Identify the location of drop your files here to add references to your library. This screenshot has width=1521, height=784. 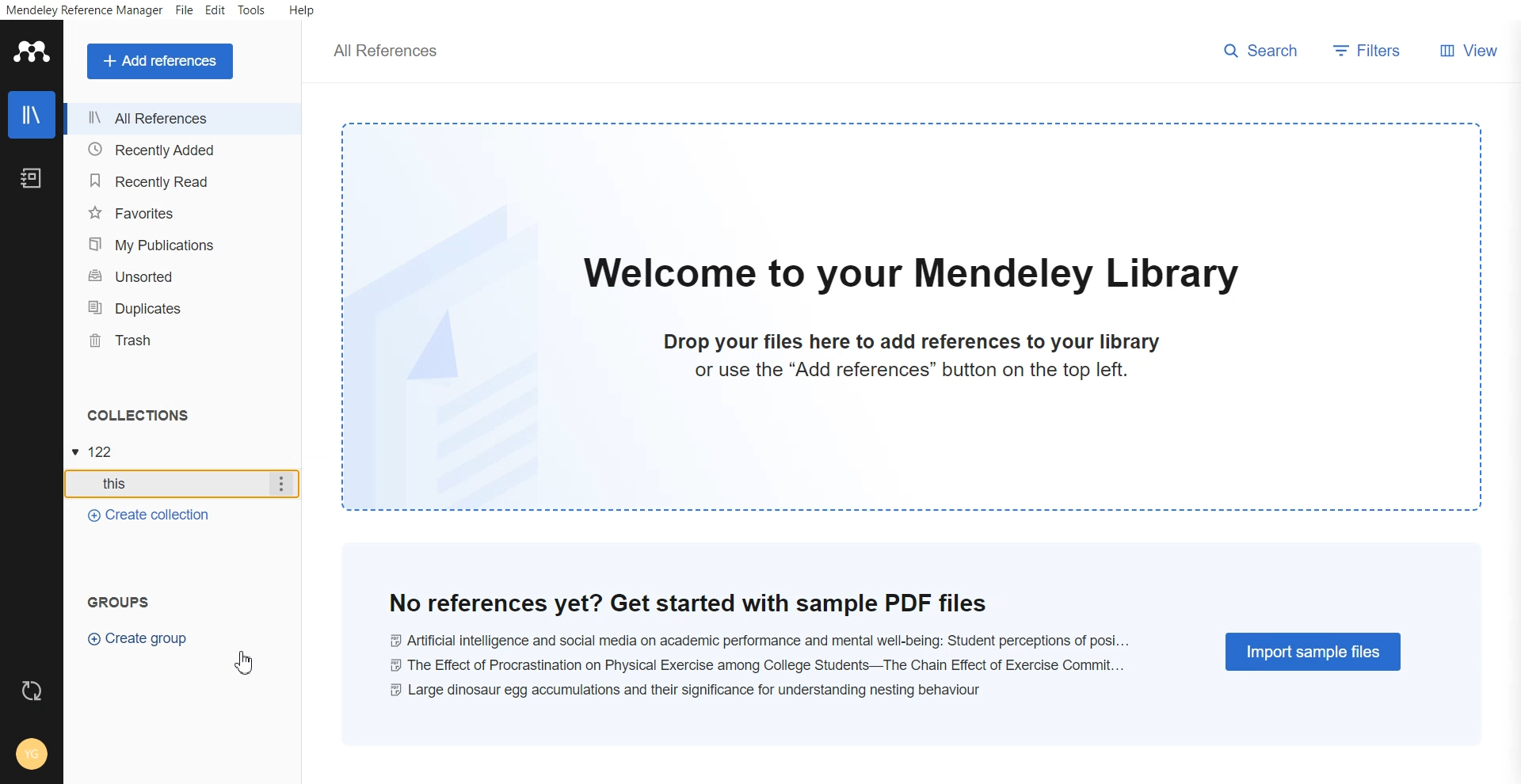
(915, 342).